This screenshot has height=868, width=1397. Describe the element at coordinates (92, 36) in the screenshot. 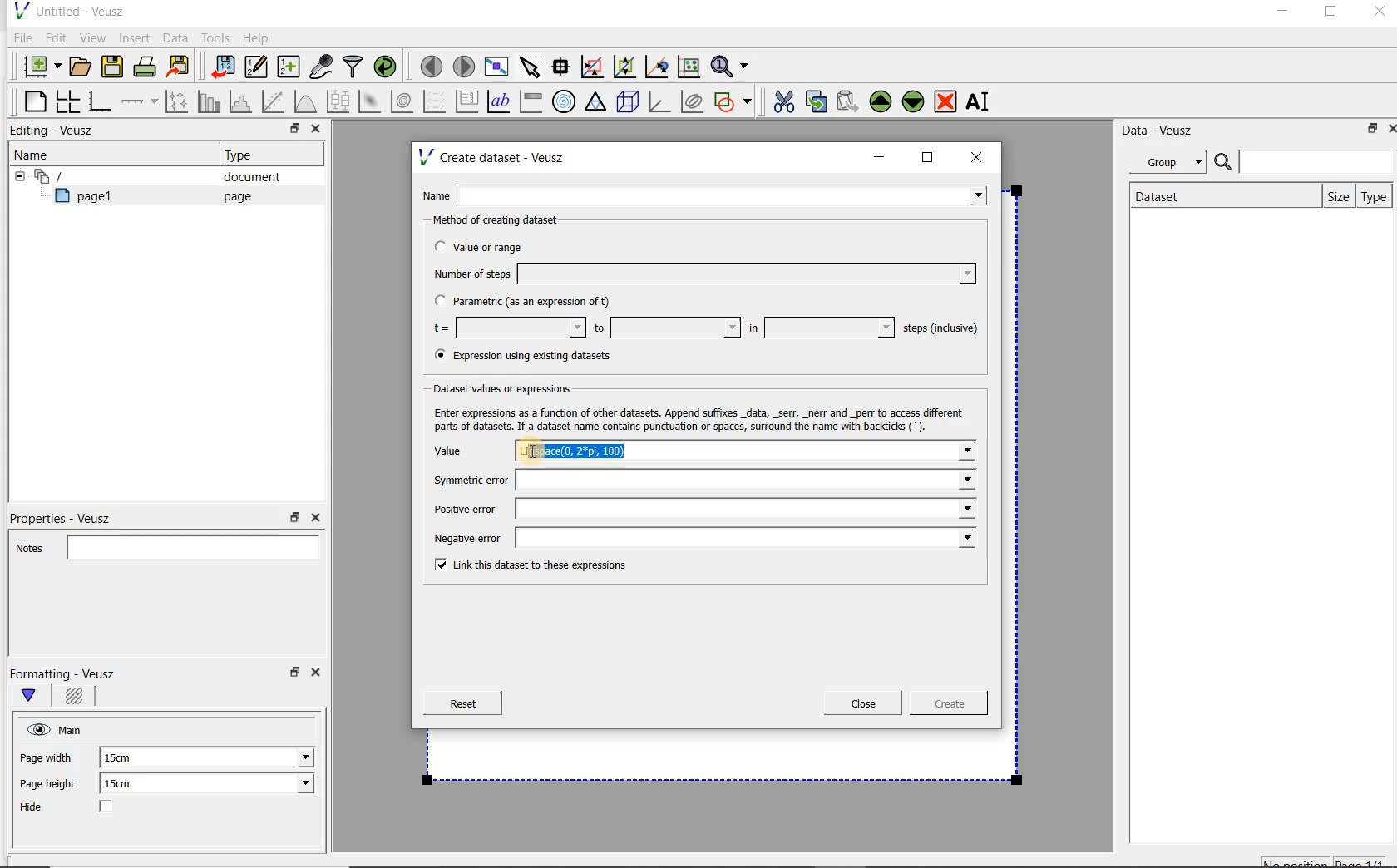

I see `View` at that location.